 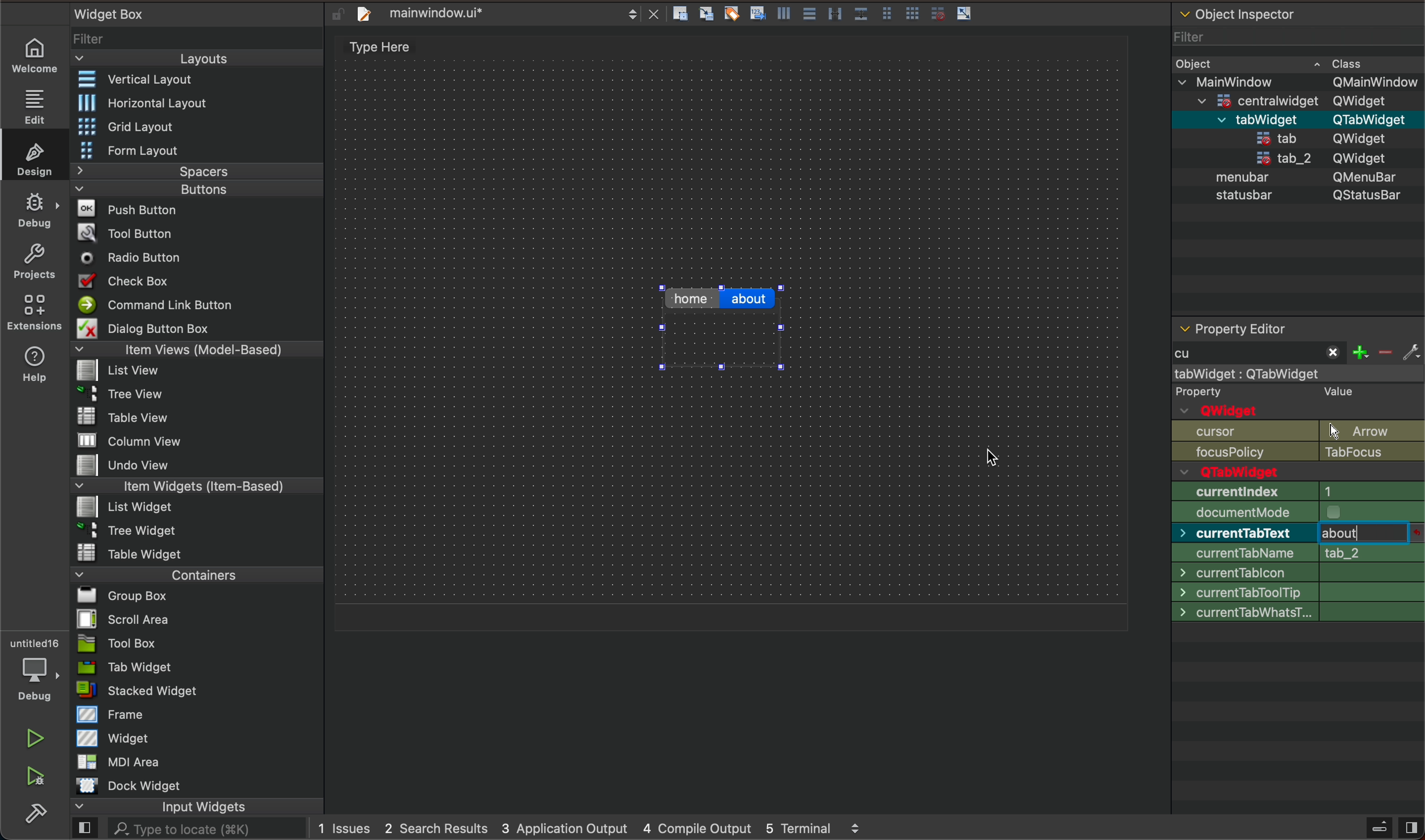 I want to click on close sidebar, so click(x=1389, y=828).